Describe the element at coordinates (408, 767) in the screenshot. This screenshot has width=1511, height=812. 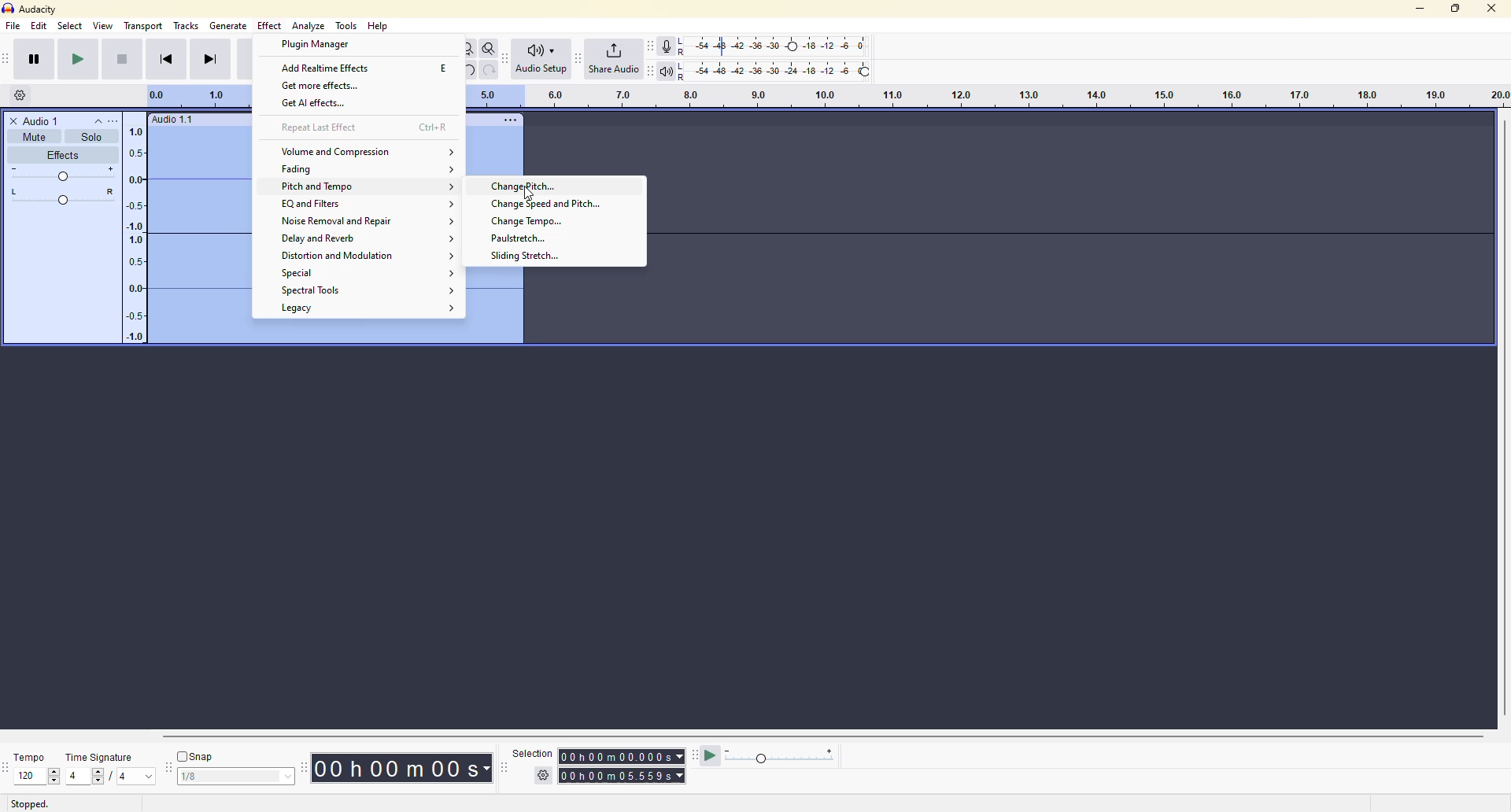
I see `time` at that location.